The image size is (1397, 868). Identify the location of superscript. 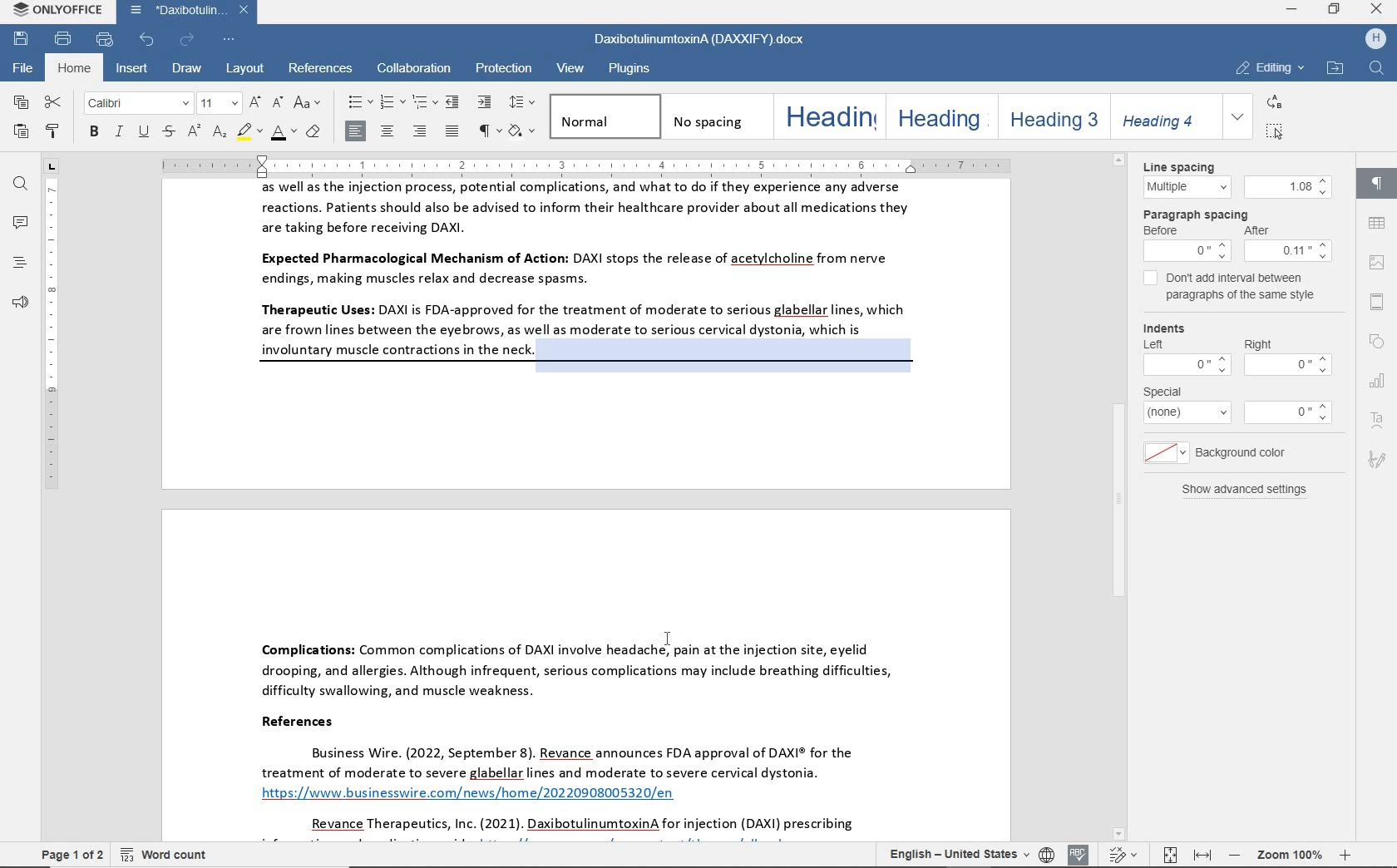
(193, 133).